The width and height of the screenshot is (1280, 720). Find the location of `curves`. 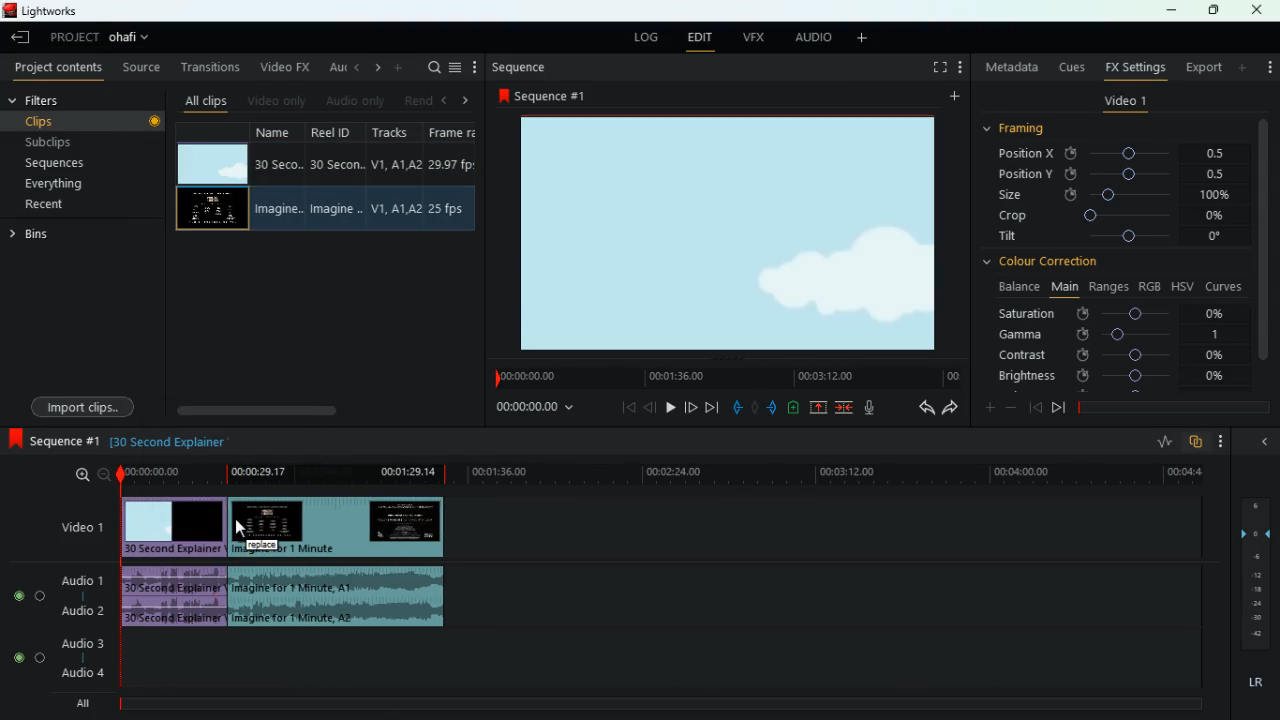

curves is located at coordinates (1226, 285).